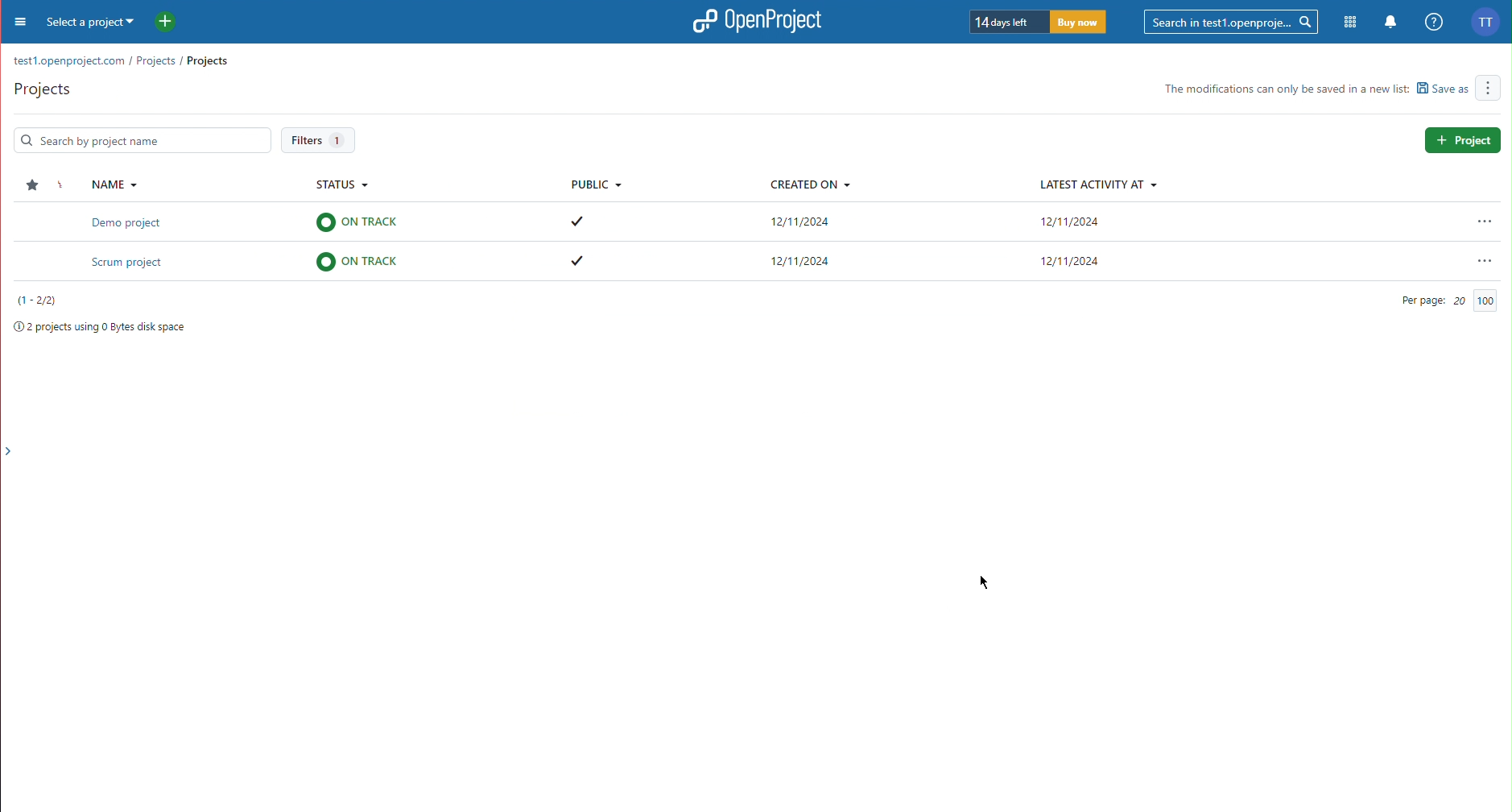 This screenshot has height=812, width=1512. I want to click on Select a project, so click(111, 22).